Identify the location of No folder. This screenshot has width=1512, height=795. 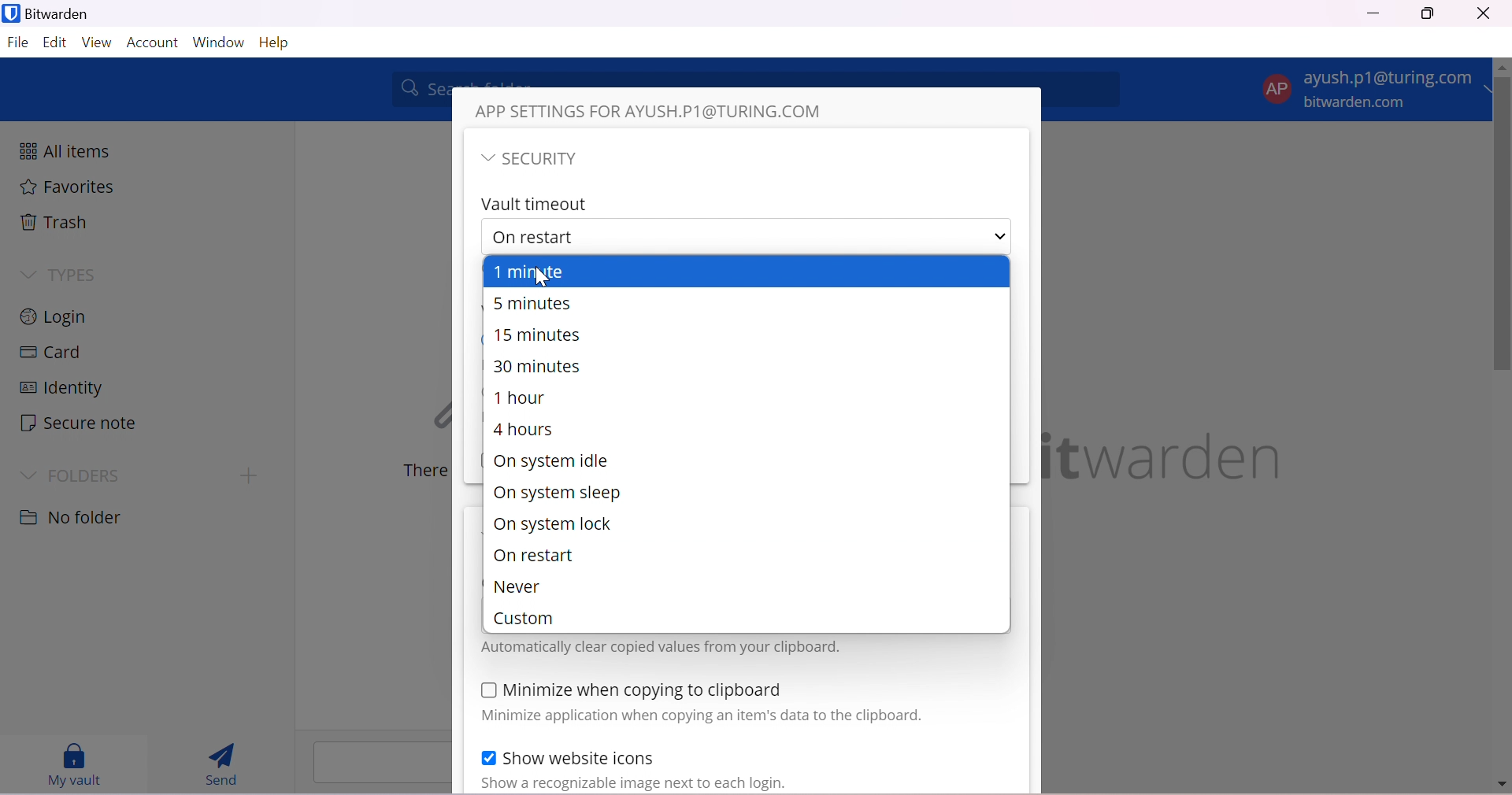
(73, 520).